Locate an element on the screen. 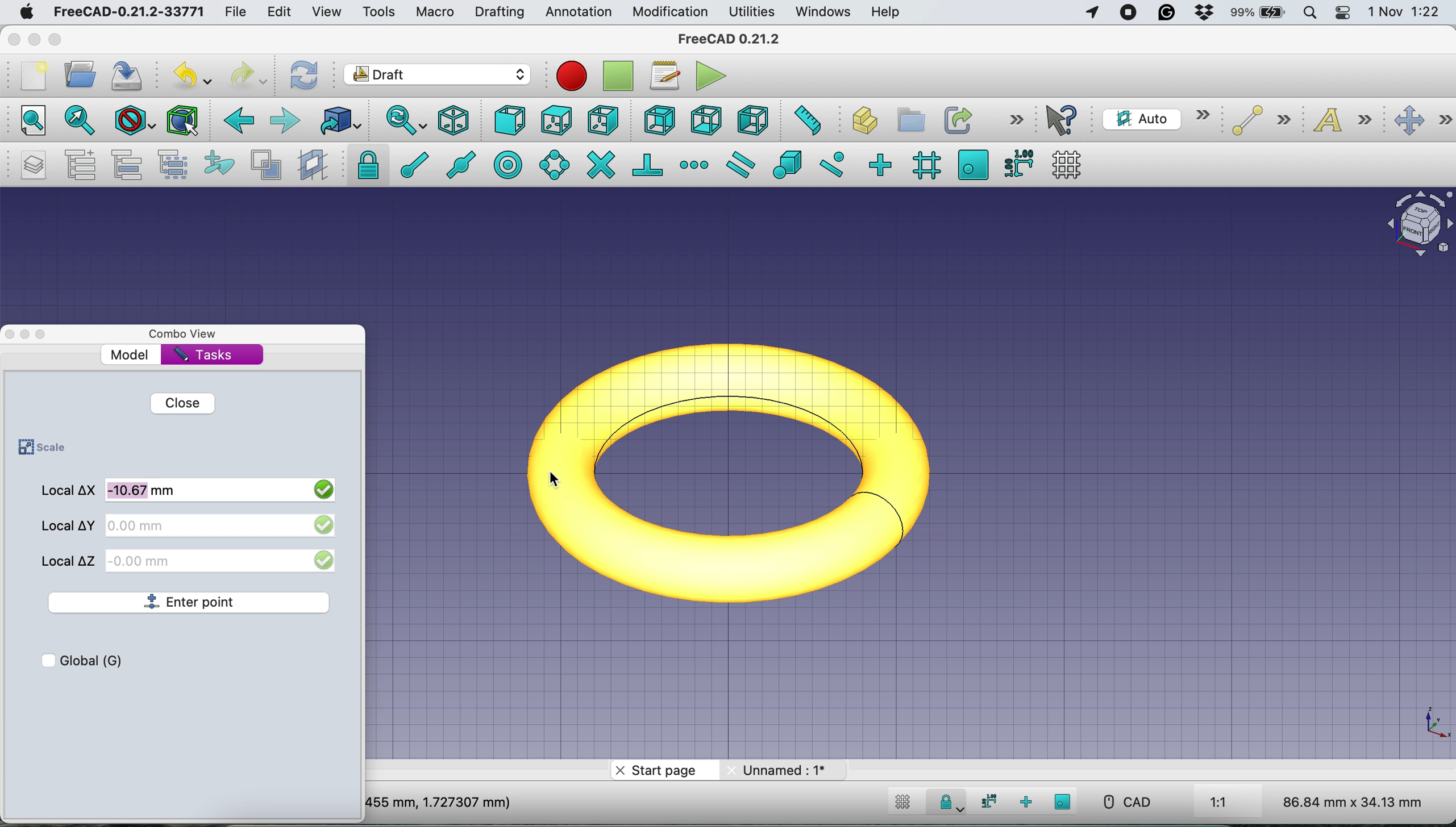 This screenshot has height=827, width=1456. draw style is located at coordinates (132, 123).